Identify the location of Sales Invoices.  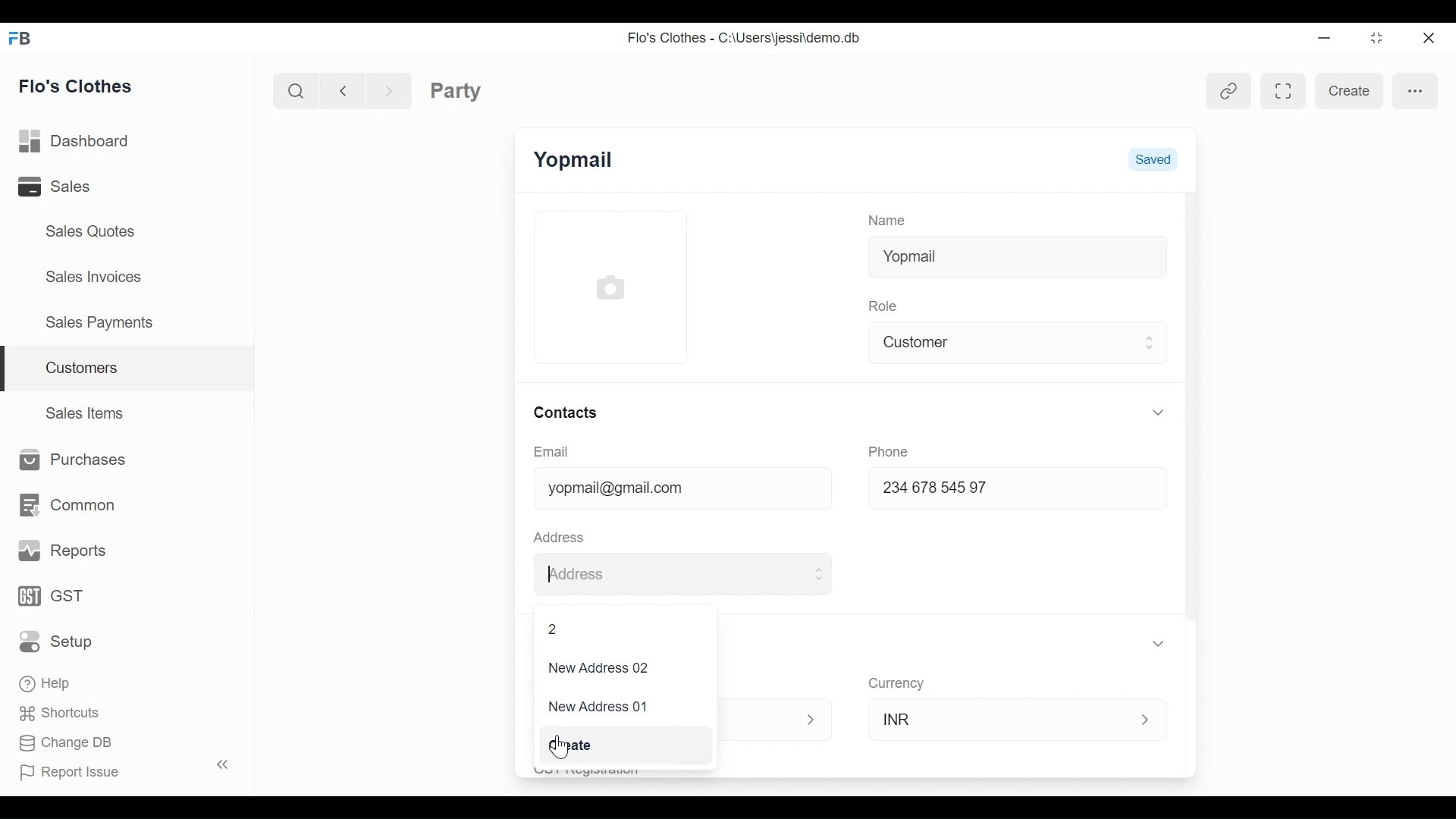
(96, 275).